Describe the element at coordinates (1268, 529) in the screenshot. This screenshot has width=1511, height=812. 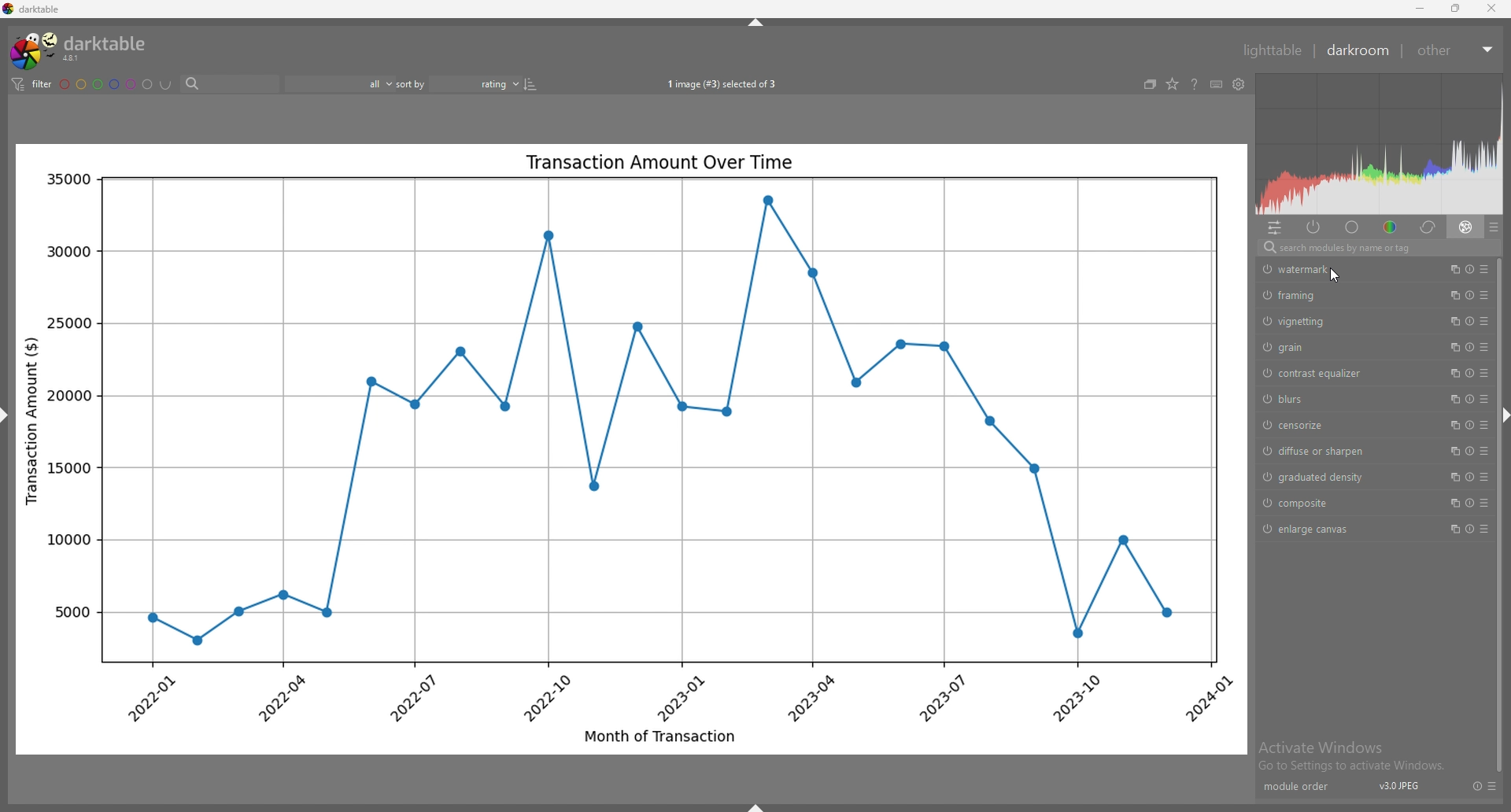
I see `switch off` at that location.